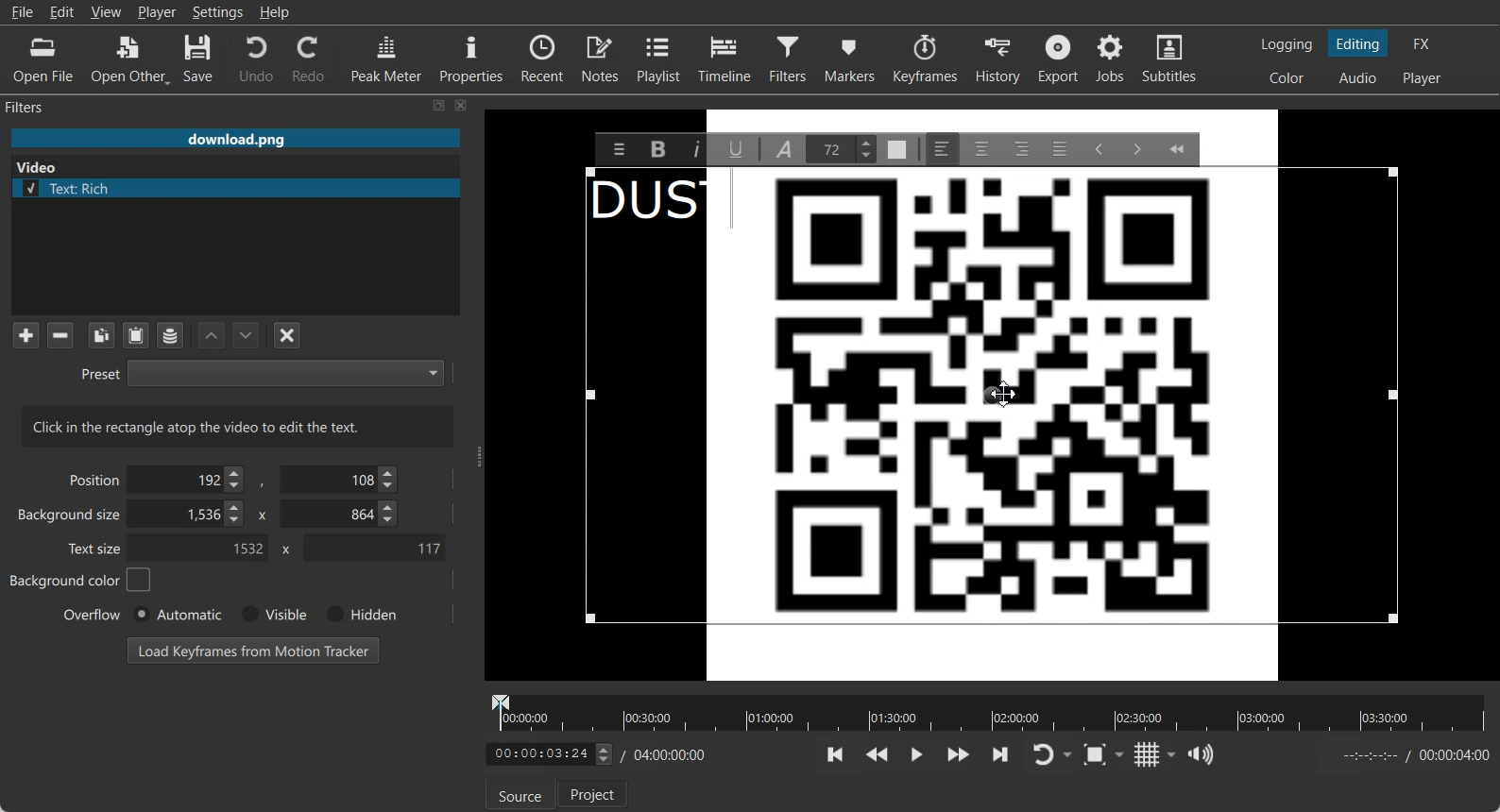  Describe the element at coordinates (1000, 59) in the screenshot. I see `History` at that location.